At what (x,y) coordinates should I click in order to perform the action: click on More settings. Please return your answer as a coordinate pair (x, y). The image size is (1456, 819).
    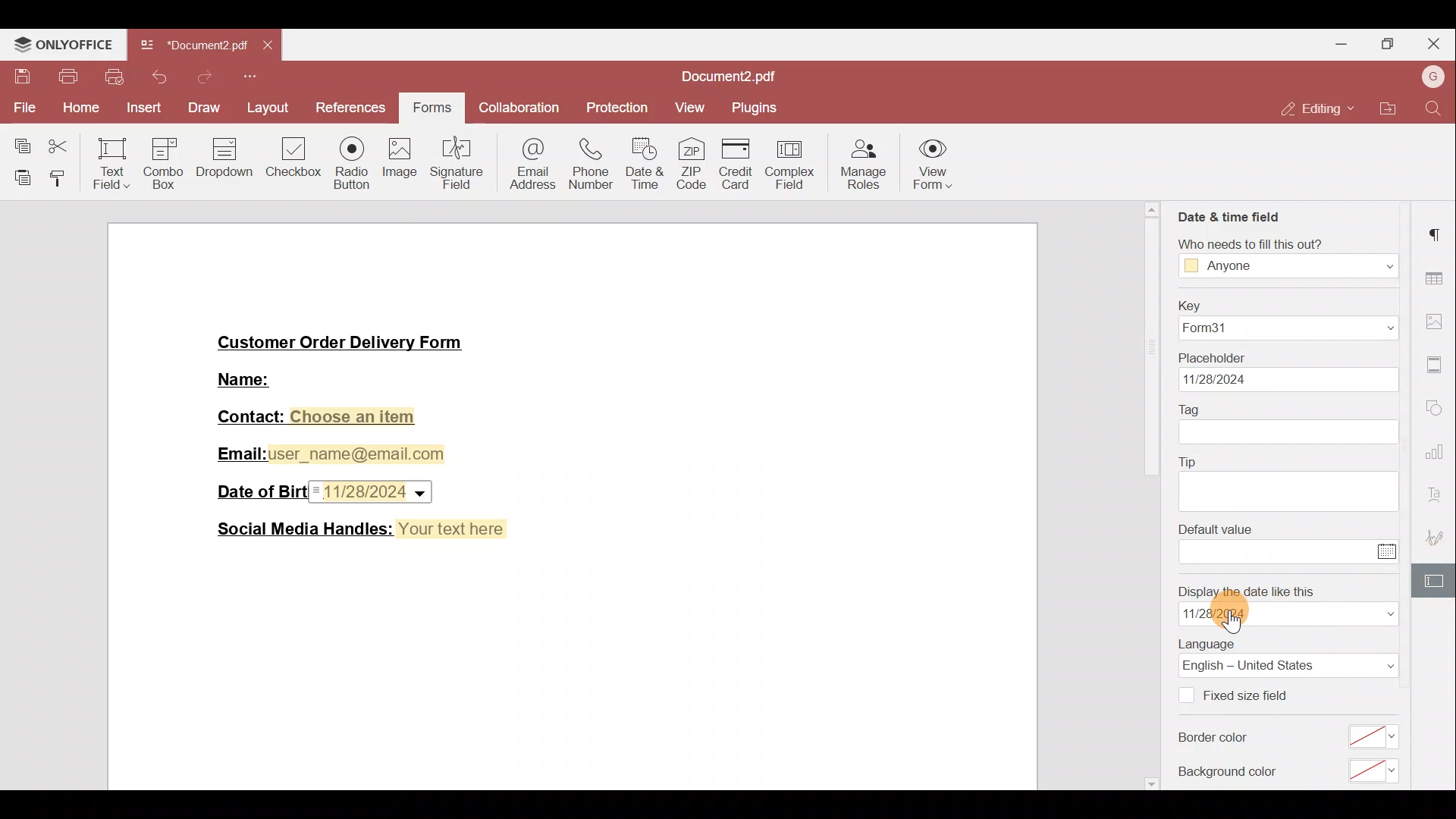
    Looking at the image, I should click on (1436, 365).